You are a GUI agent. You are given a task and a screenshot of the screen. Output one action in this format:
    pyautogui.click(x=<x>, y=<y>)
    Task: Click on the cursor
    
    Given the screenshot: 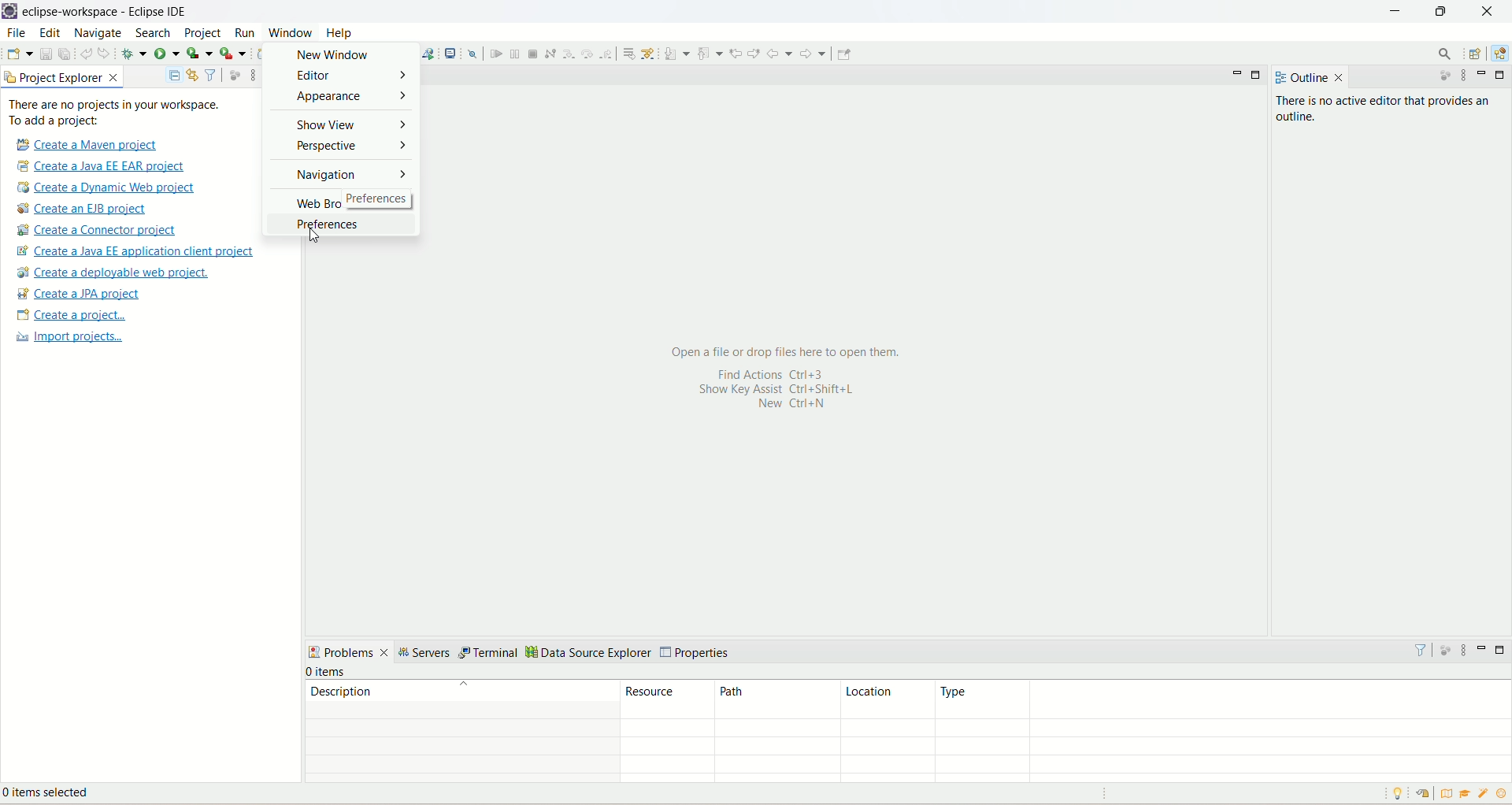 What is the action you would take?
    pyautogui.click(x=309, y=239)
    